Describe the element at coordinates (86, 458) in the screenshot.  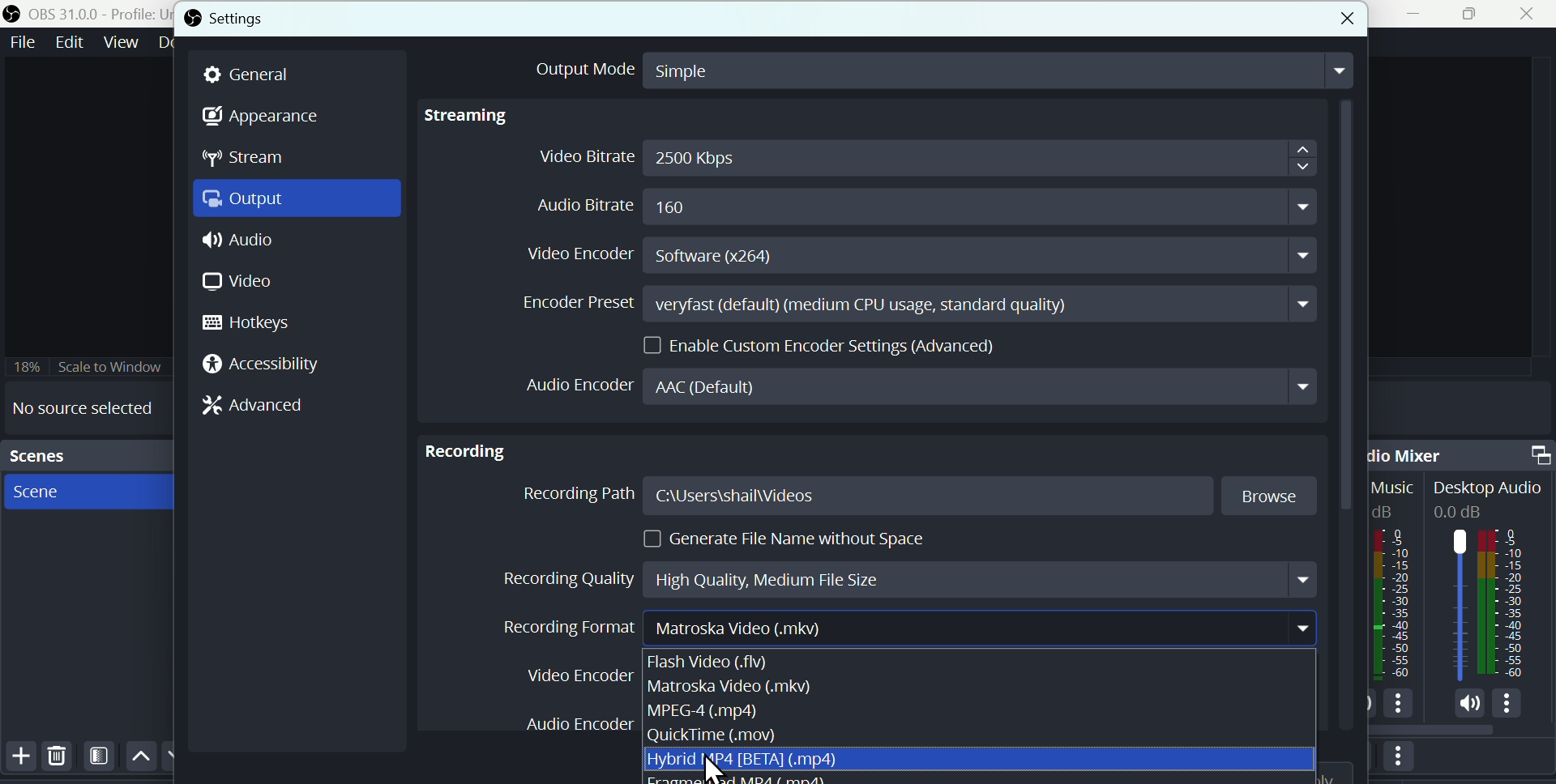
I see `scenes` at that location.